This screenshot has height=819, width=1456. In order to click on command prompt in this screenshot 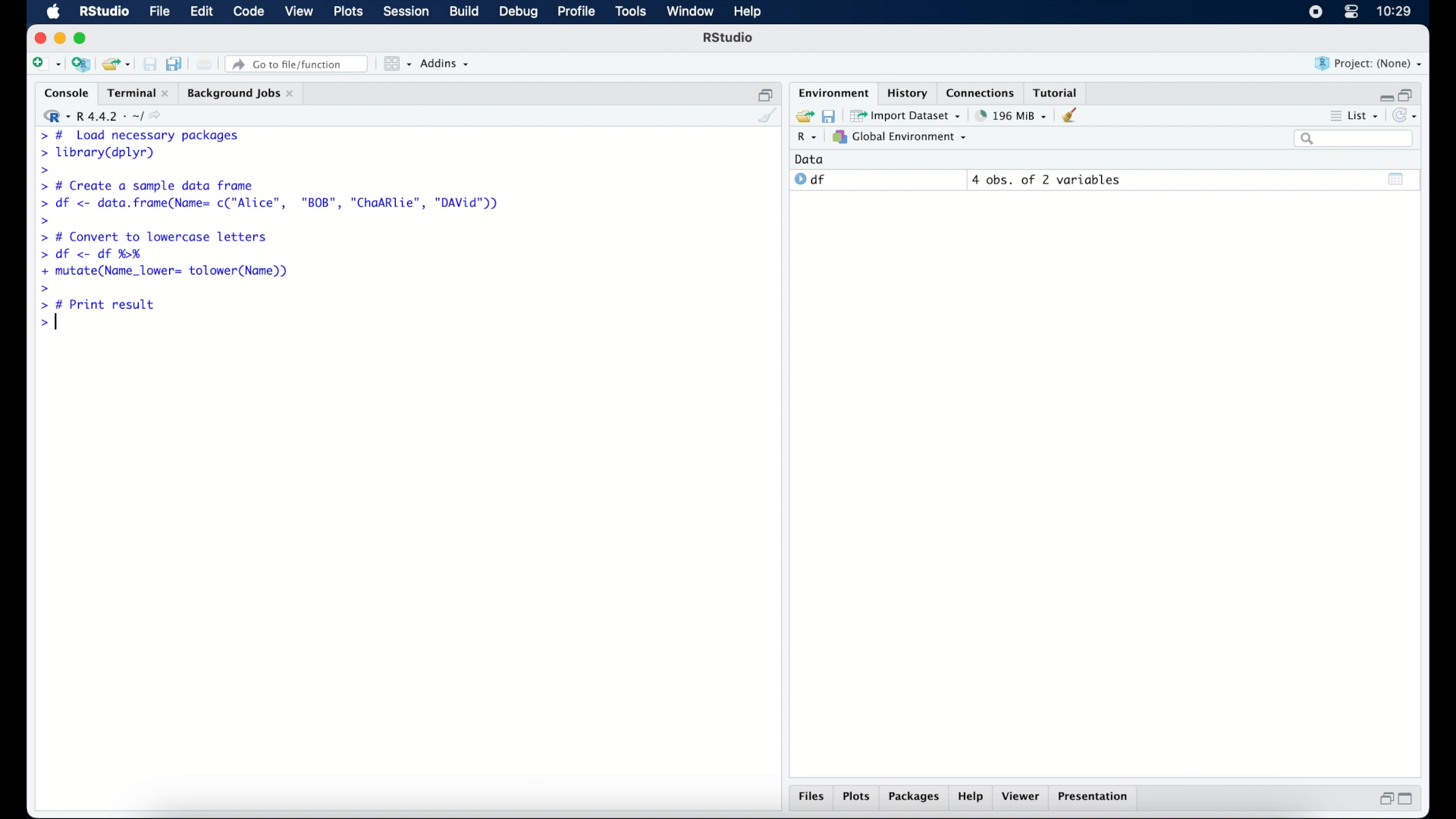, I will do `click(45, 220)`.